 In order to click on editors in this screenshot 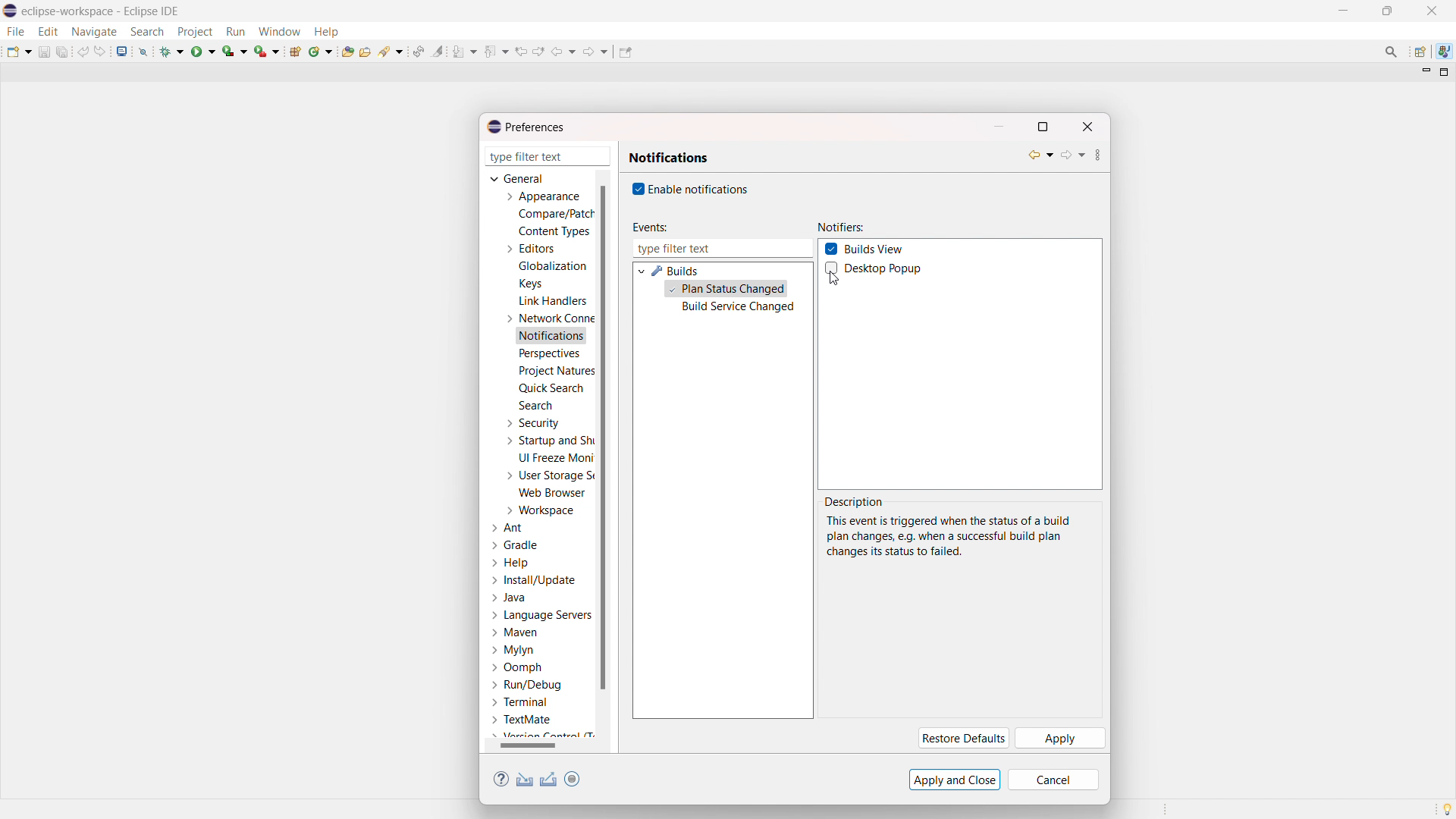, I will do `click(529, 249)`.